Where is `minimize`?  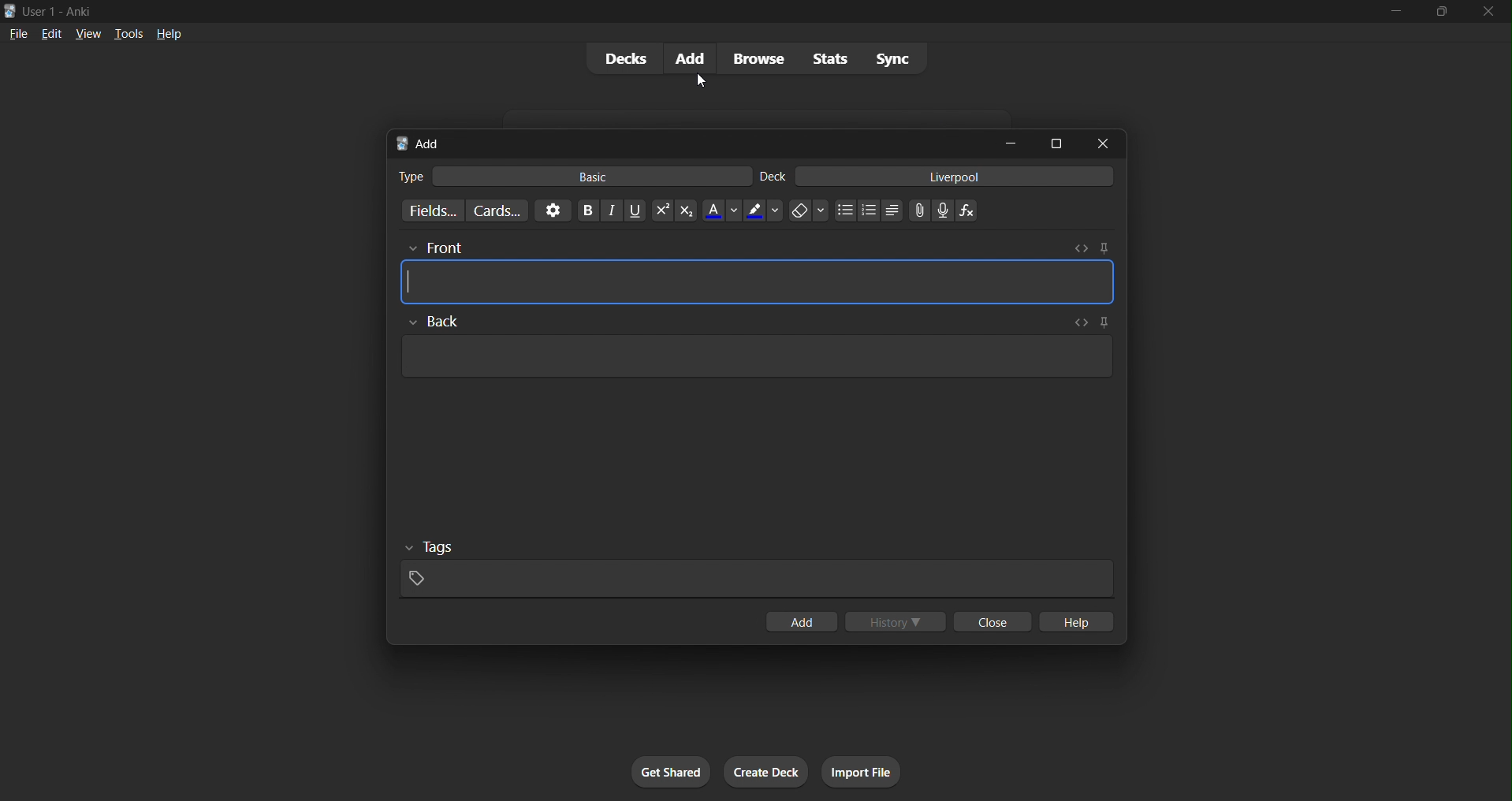 minimize is located at coordinates (1004, 142).